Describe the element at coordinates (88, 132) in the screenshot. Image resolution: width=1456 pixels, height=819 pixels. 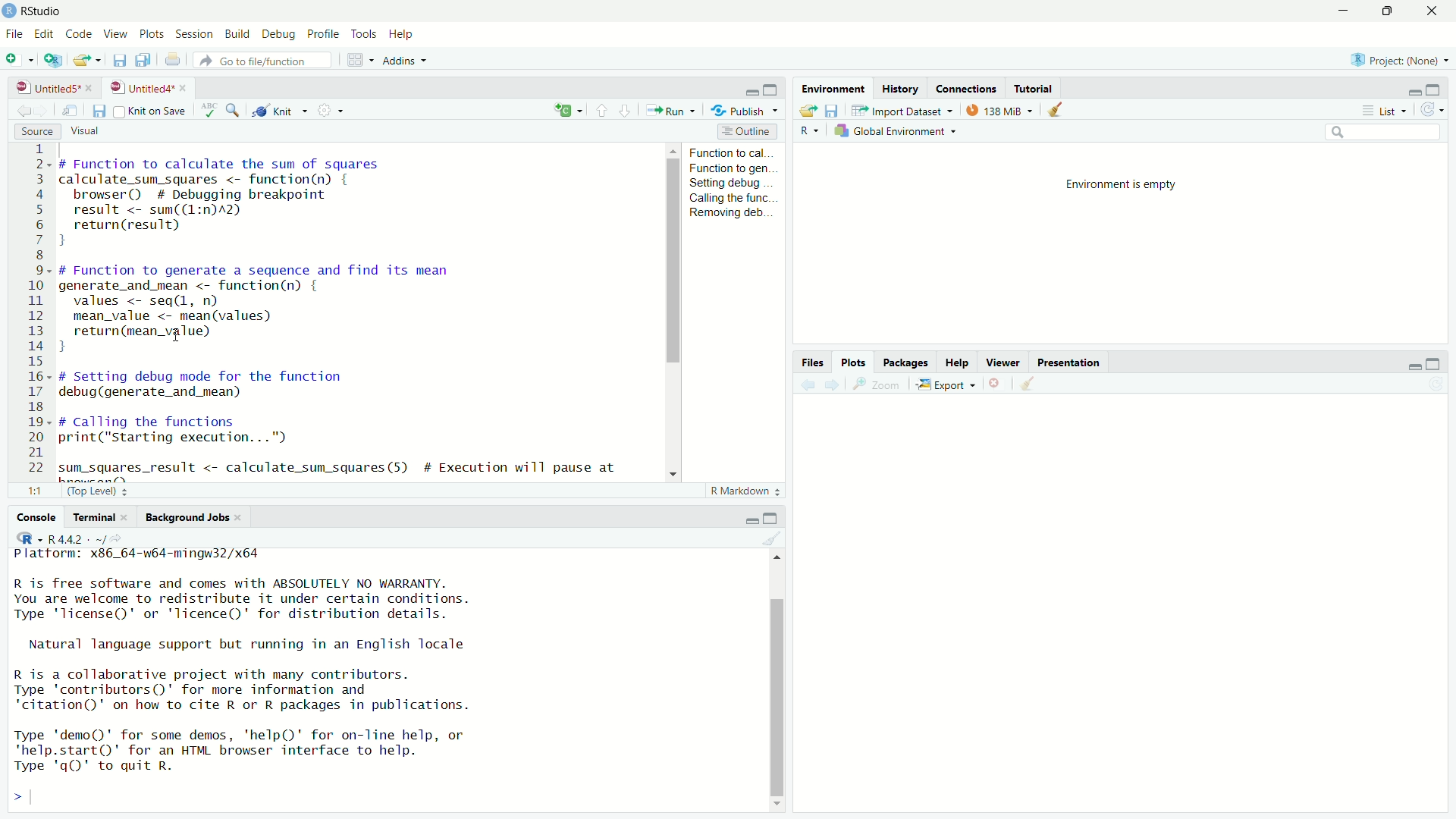
I see `visual` at that location.